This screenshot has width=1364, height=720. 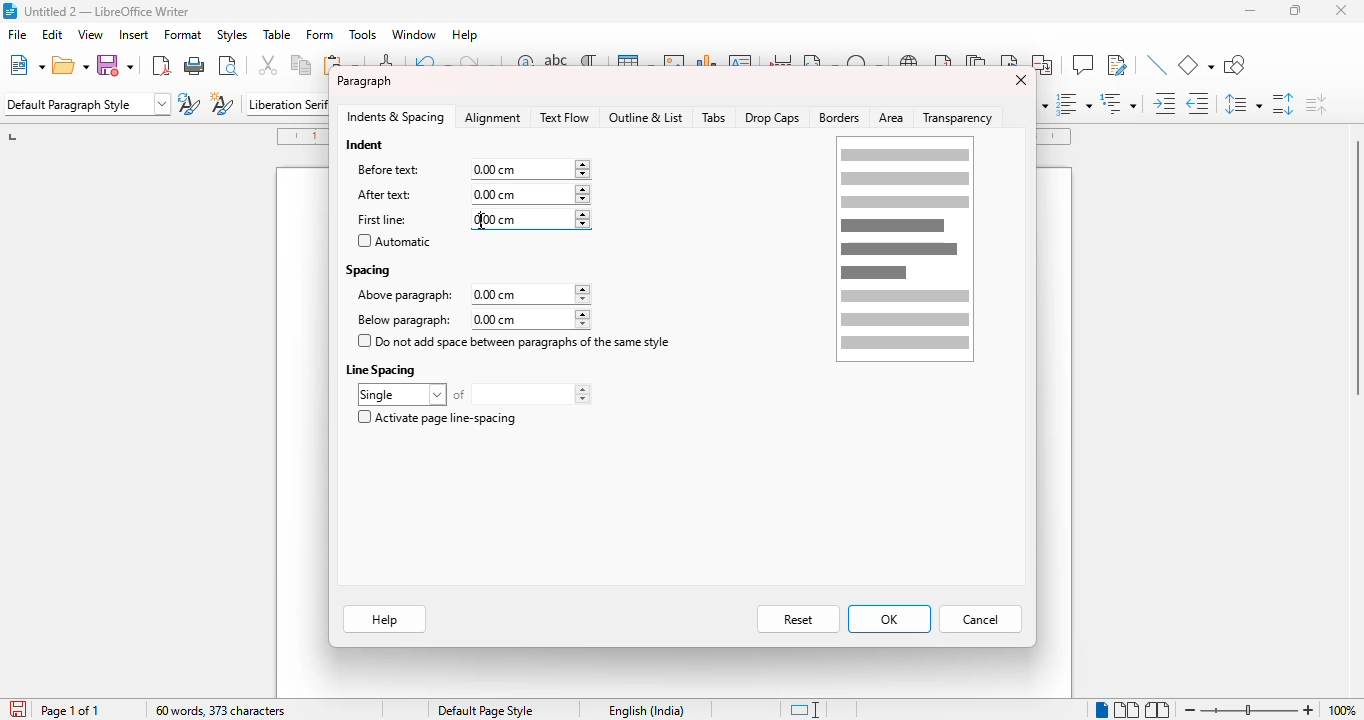 What do you see at coordinates (481, 221) in the screenshot?
I see `typing` at bounding box center [481, 221].